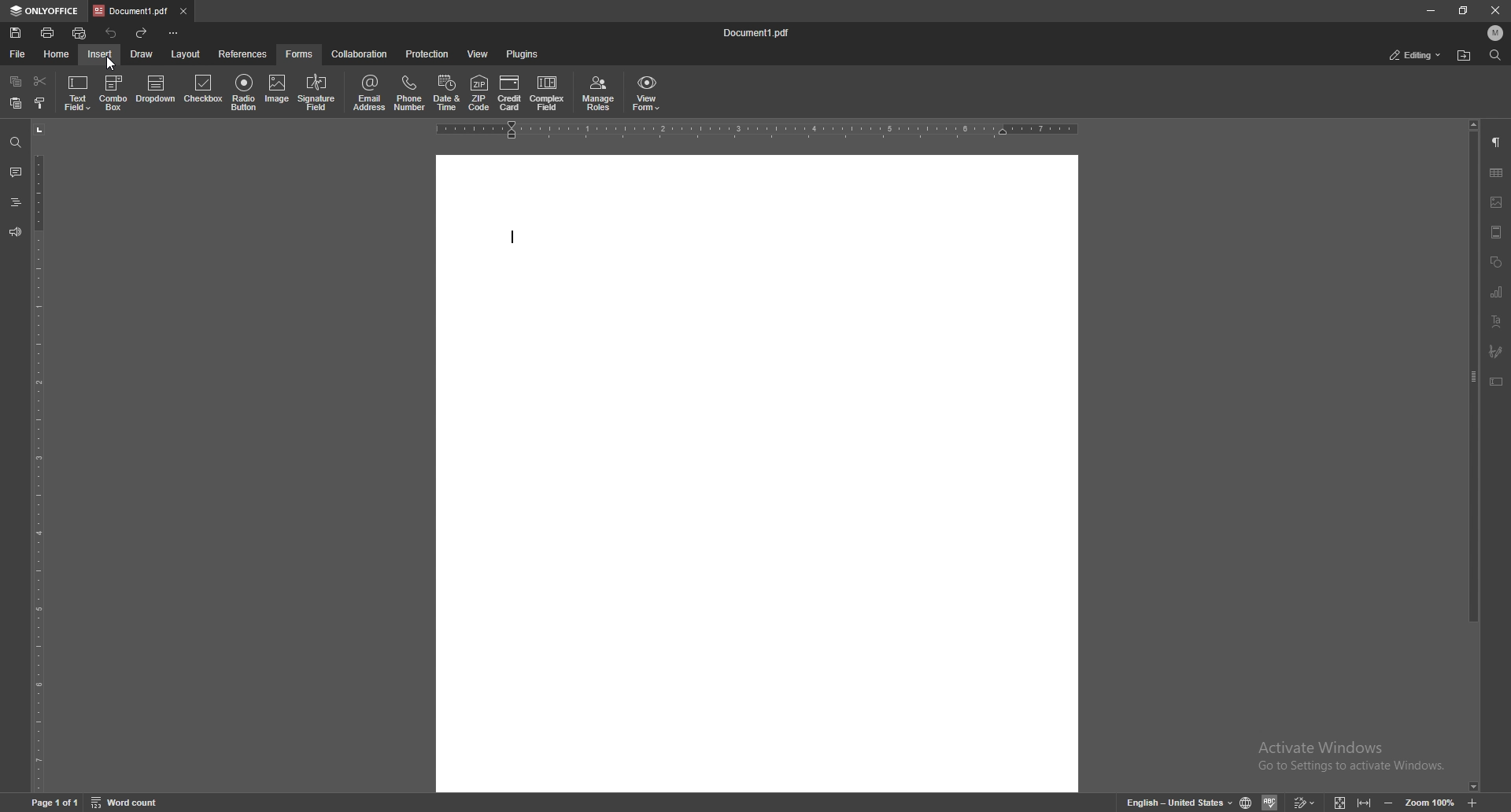 This screenshot has height=812, width=1511. What do you see at coordinates (1473, 803) in the screenshot?
I see `zoom in` at bounding box center [1473, 803].